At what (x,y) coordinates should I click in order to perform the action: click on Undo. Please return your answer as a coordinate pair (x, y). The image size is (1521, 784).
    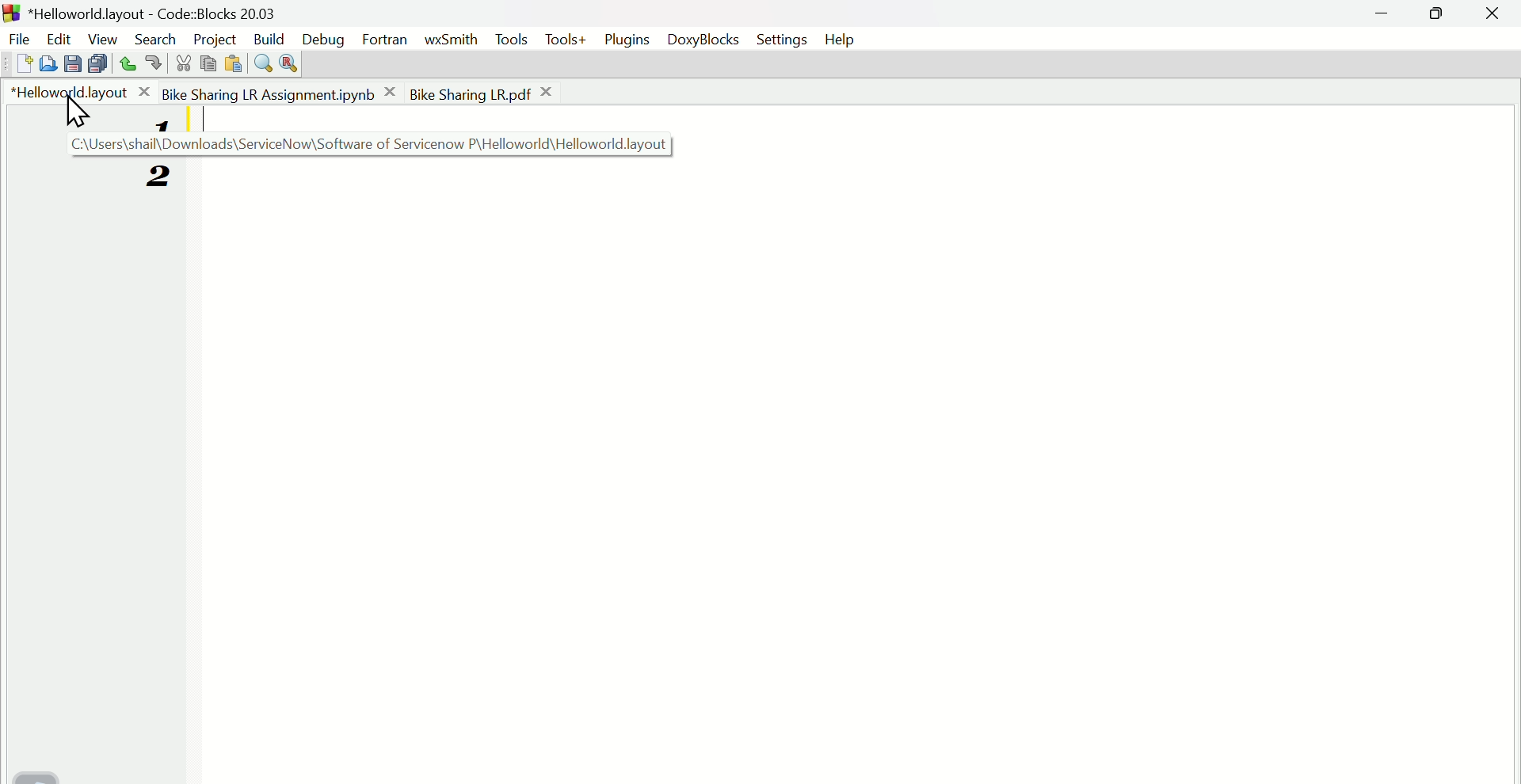
    Looking at the image, I should click on (123, 63).